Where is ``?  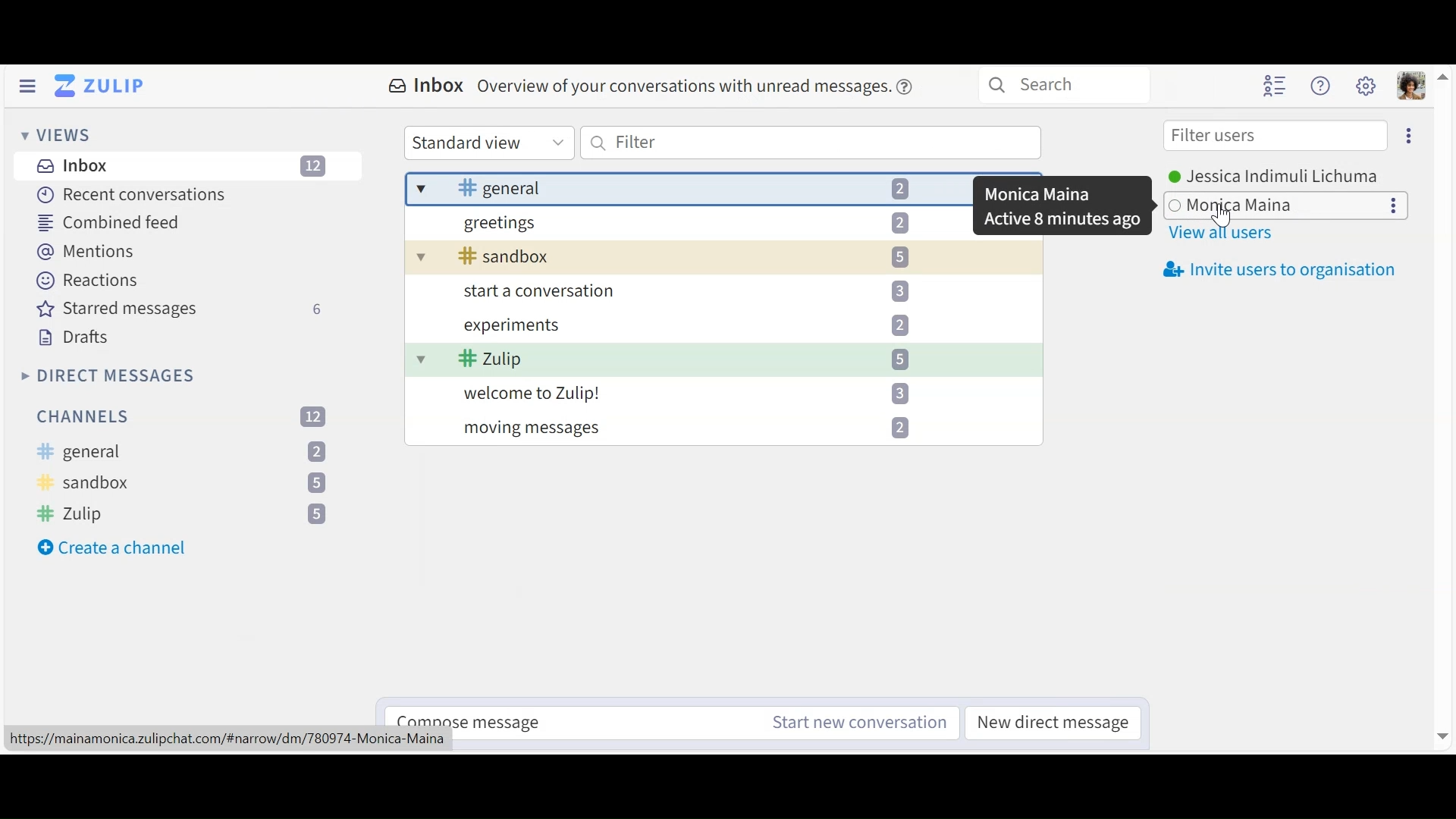  is located at coordinates (1289, 206).